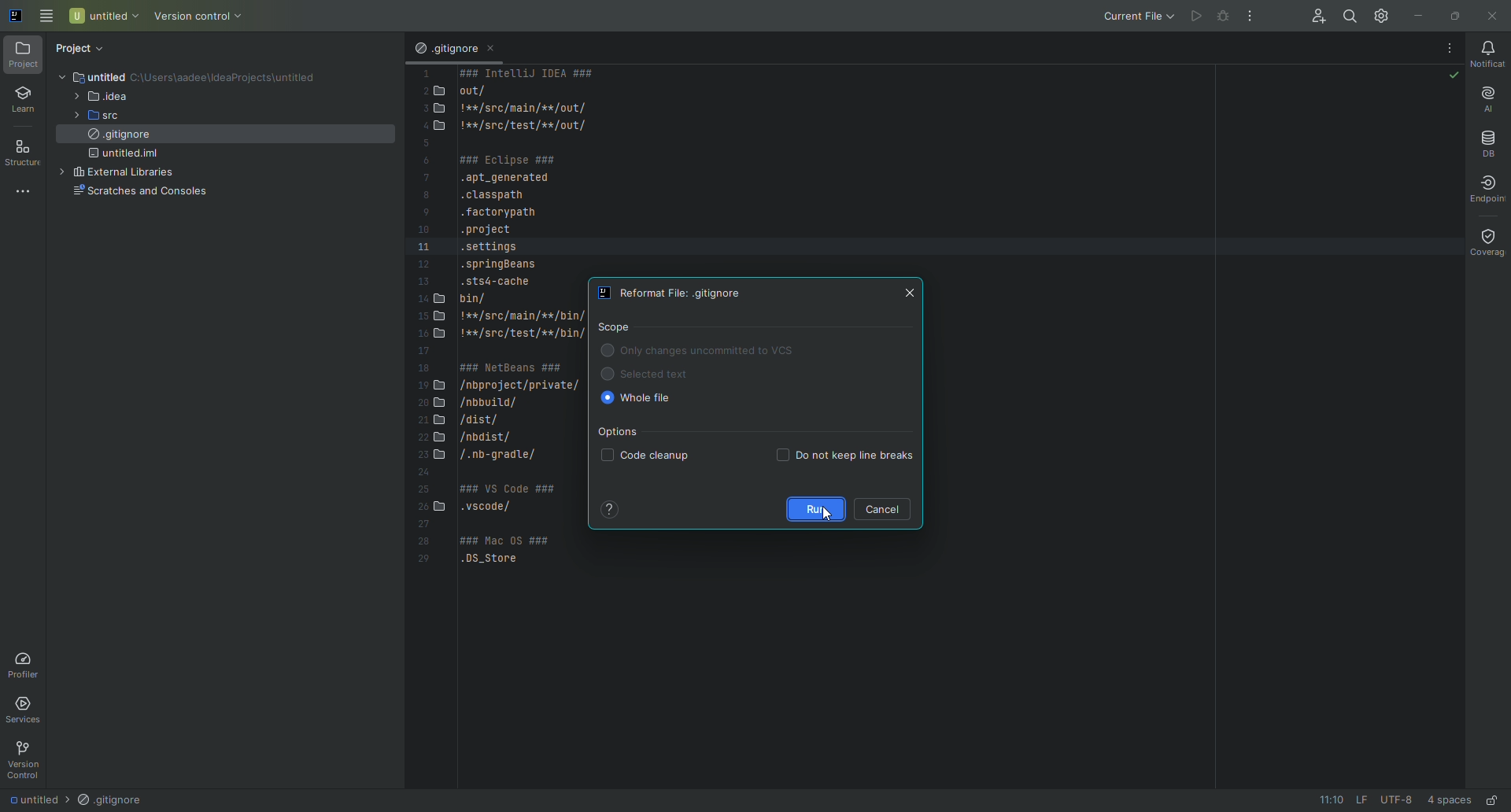  What do you see at coordinates (812, 506) in the screenshot?
I see `Run` at bounding box center [812, 506].